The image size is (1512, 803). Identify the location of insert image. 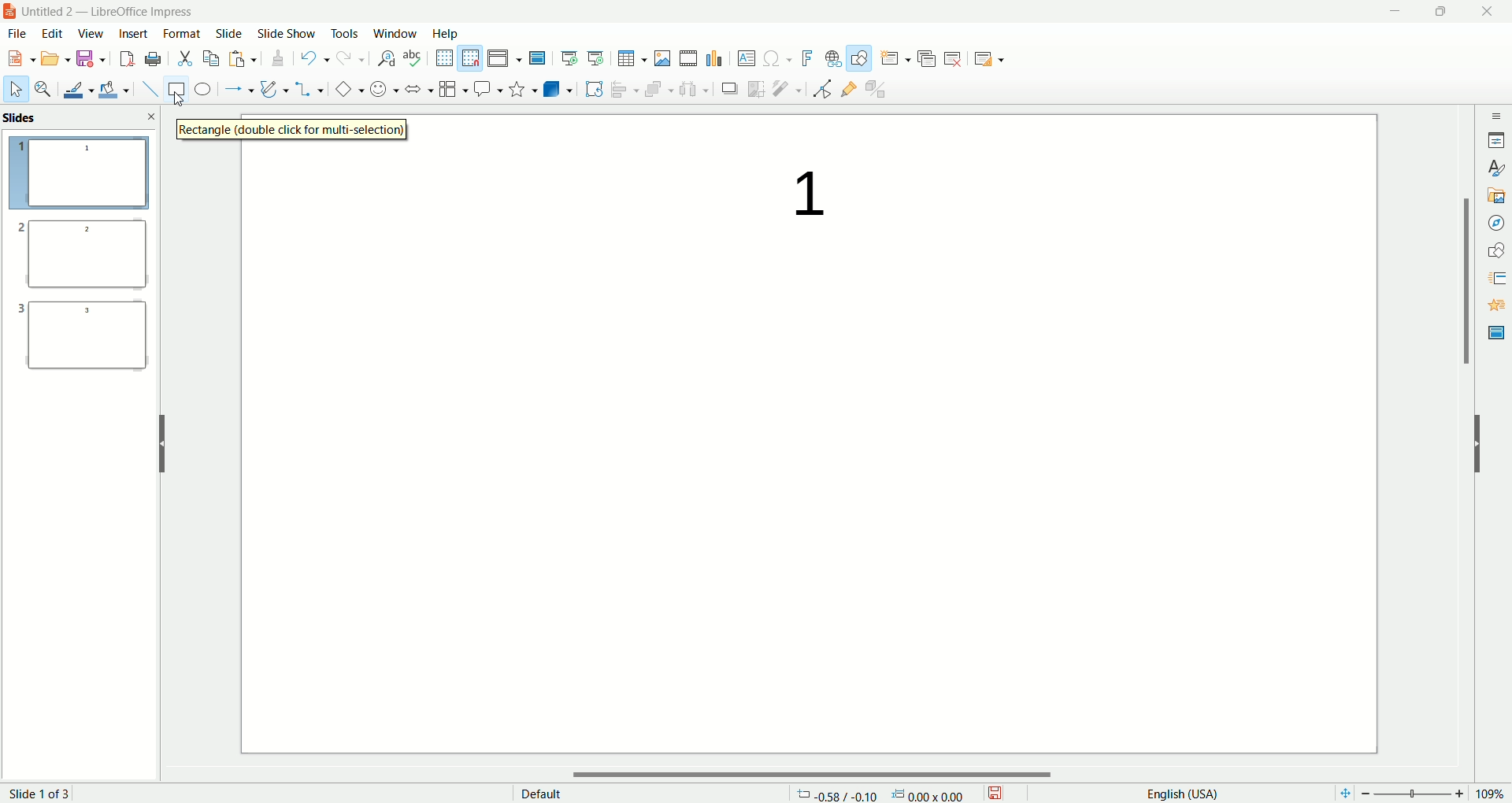
(663, 57).